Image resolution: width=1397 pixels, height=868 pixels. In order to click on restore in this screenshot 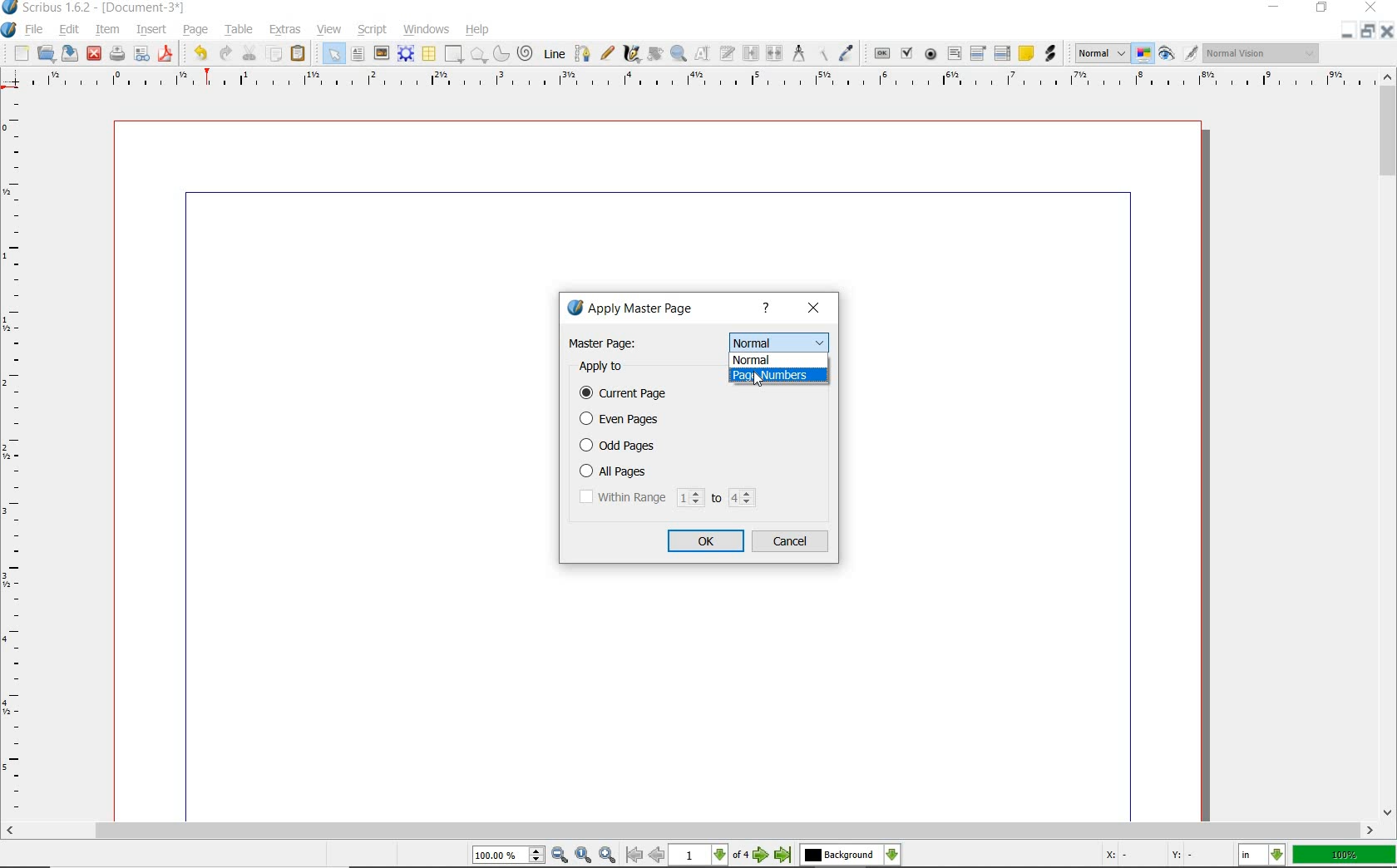, I will do `click(1321, 10)`.